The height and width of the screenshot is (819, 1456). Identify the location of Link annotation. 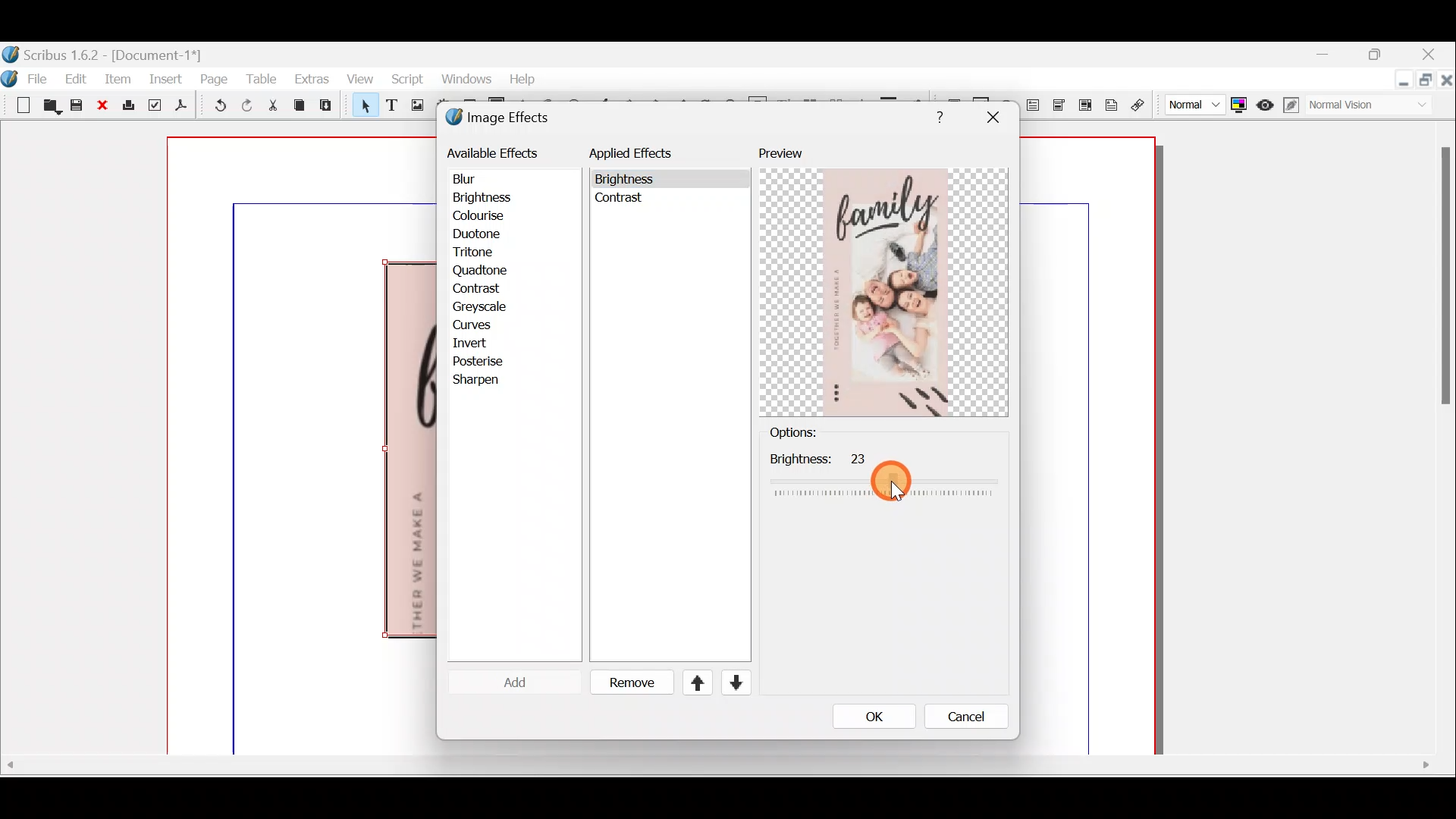
(1140, 105).